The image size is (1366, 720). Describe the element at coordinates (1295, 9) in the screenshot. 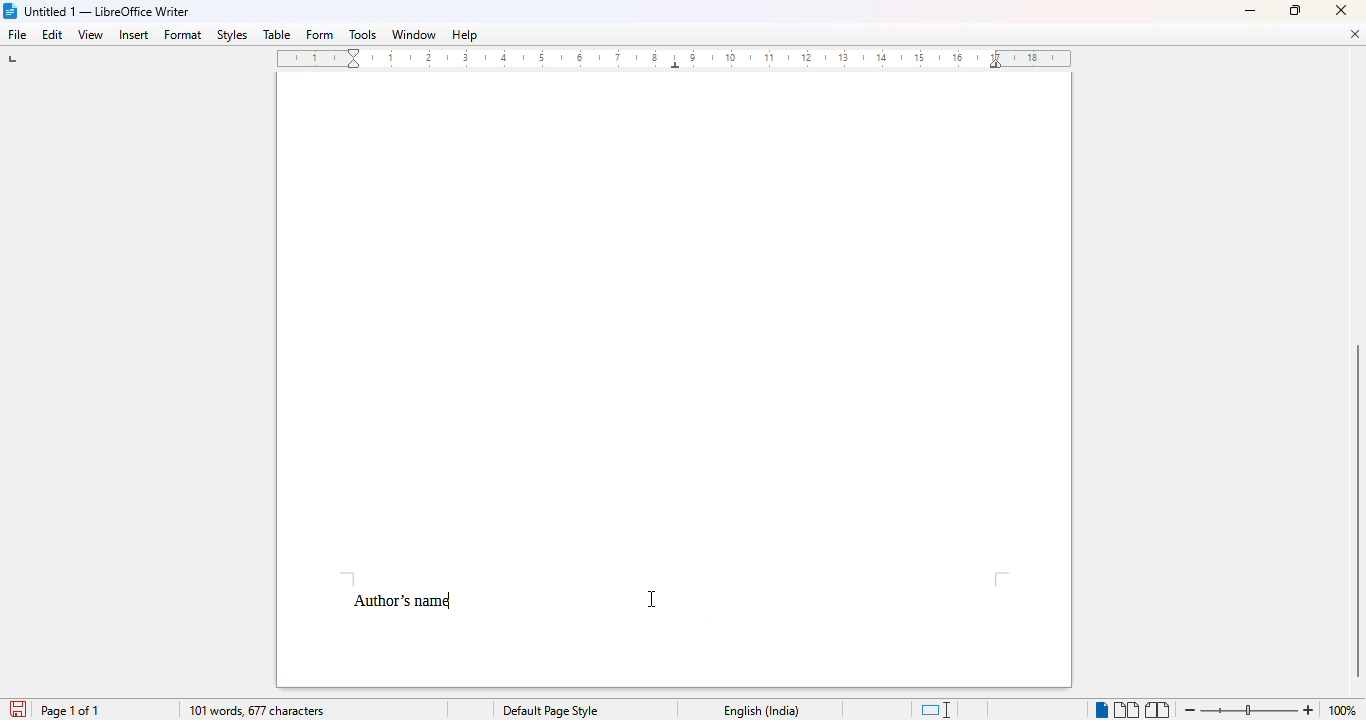

I see `maximize` at that location.